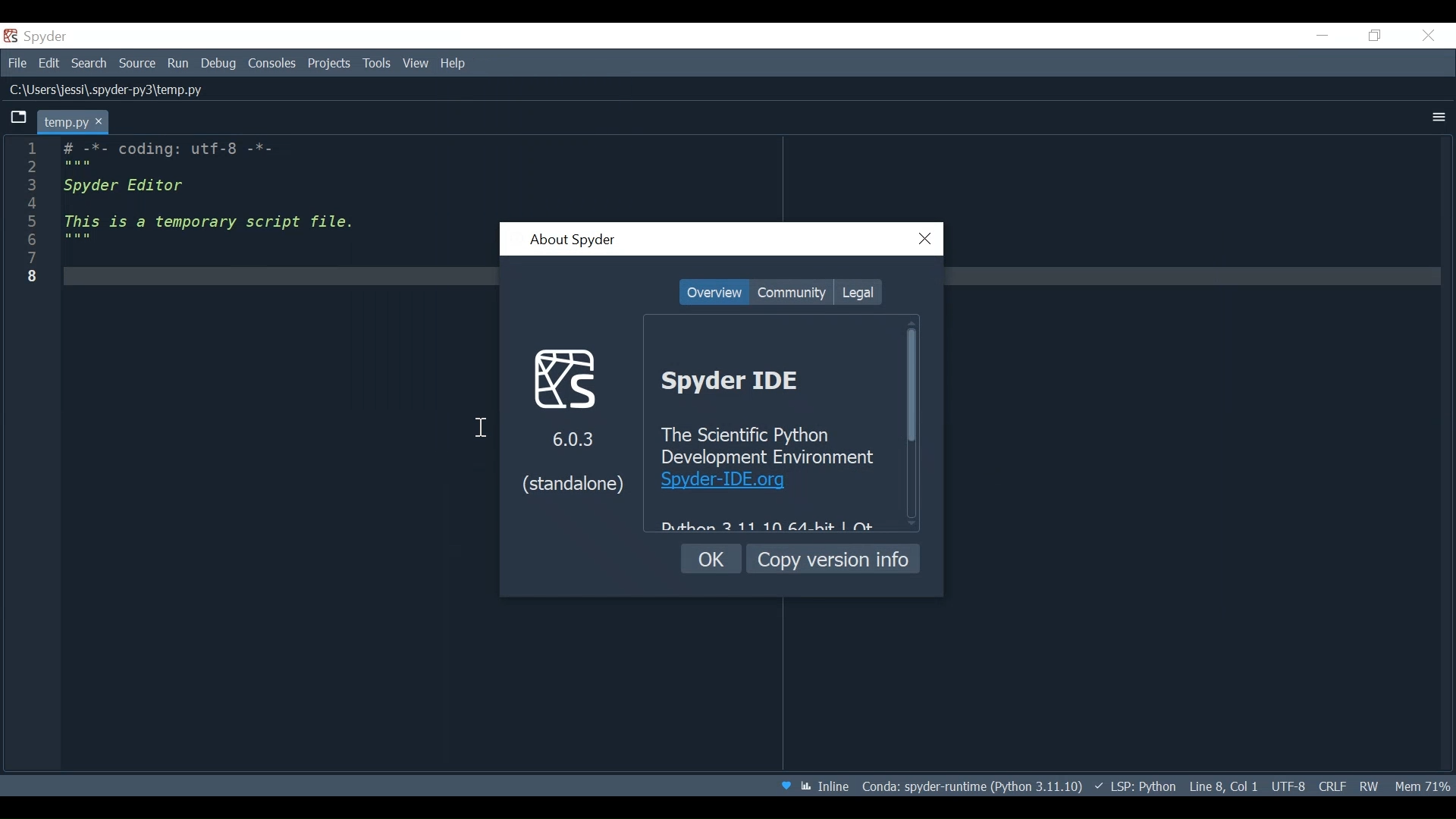 The width and height of the screenshot is (1456, 819). Describe the element at coordinates (915, 388) in the screenshot. I see `Vertical Scroll bar` at that location.